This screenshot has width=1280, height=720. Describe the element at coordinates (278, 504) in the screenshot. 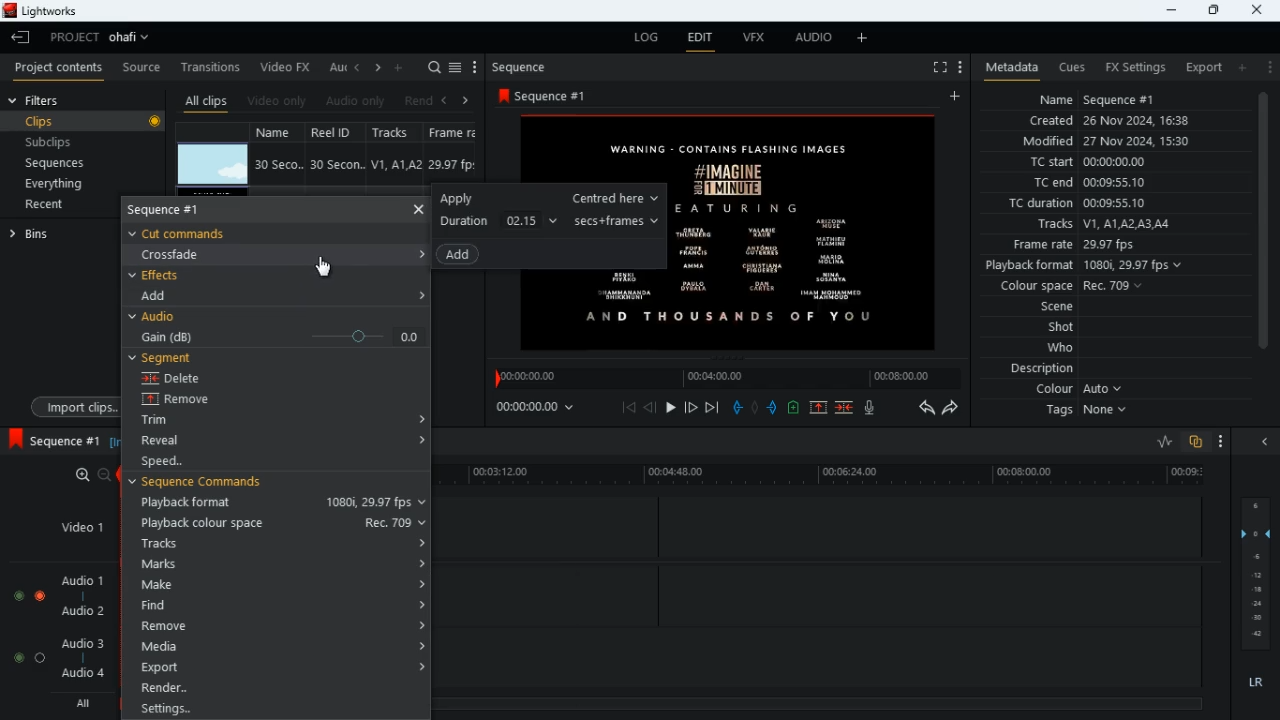

I see `playback format` at that location.